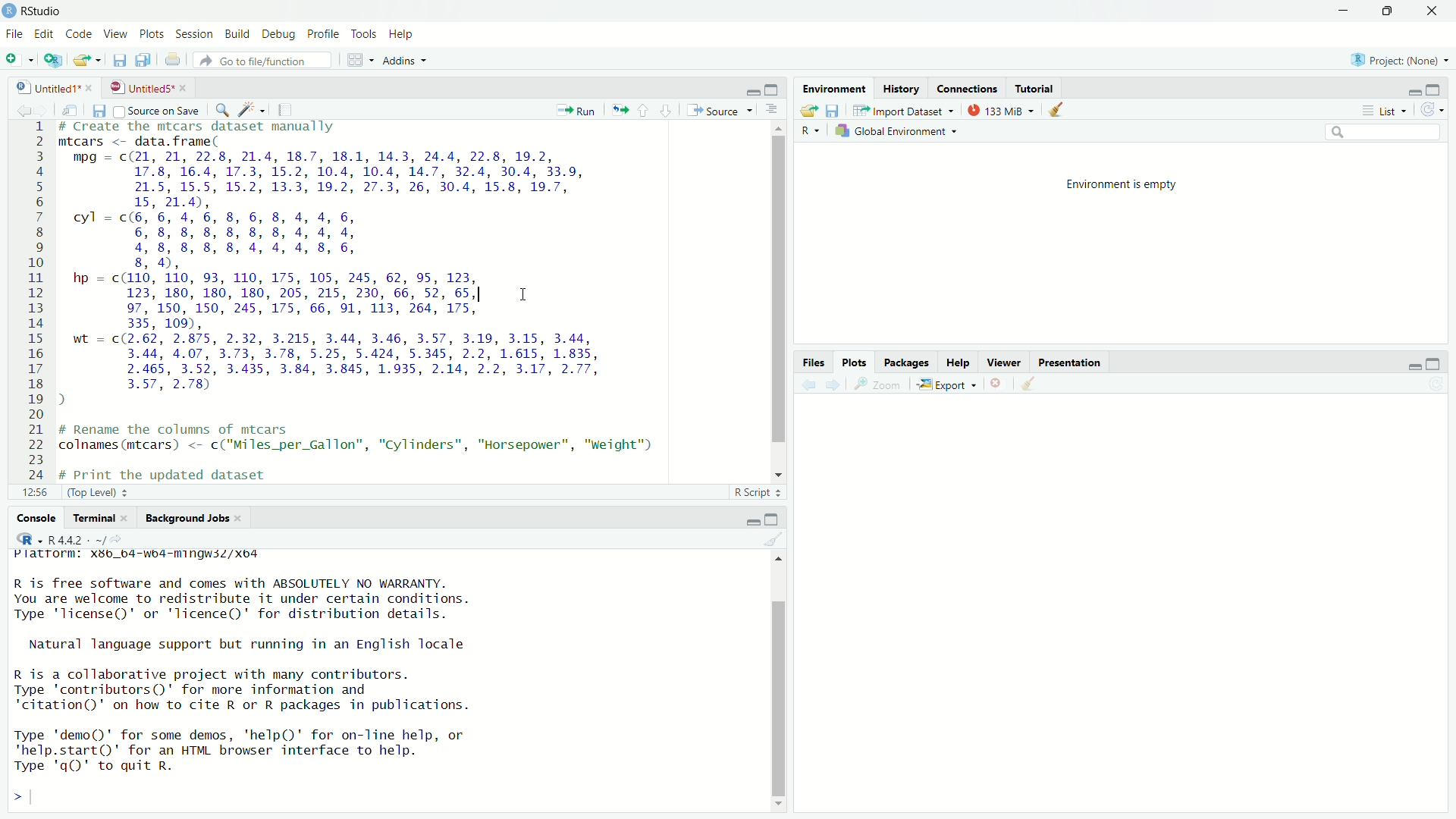  What do you see at coordinates (194, 33) in the screenshot?
I see `Session` at bounding box center [194, 33].